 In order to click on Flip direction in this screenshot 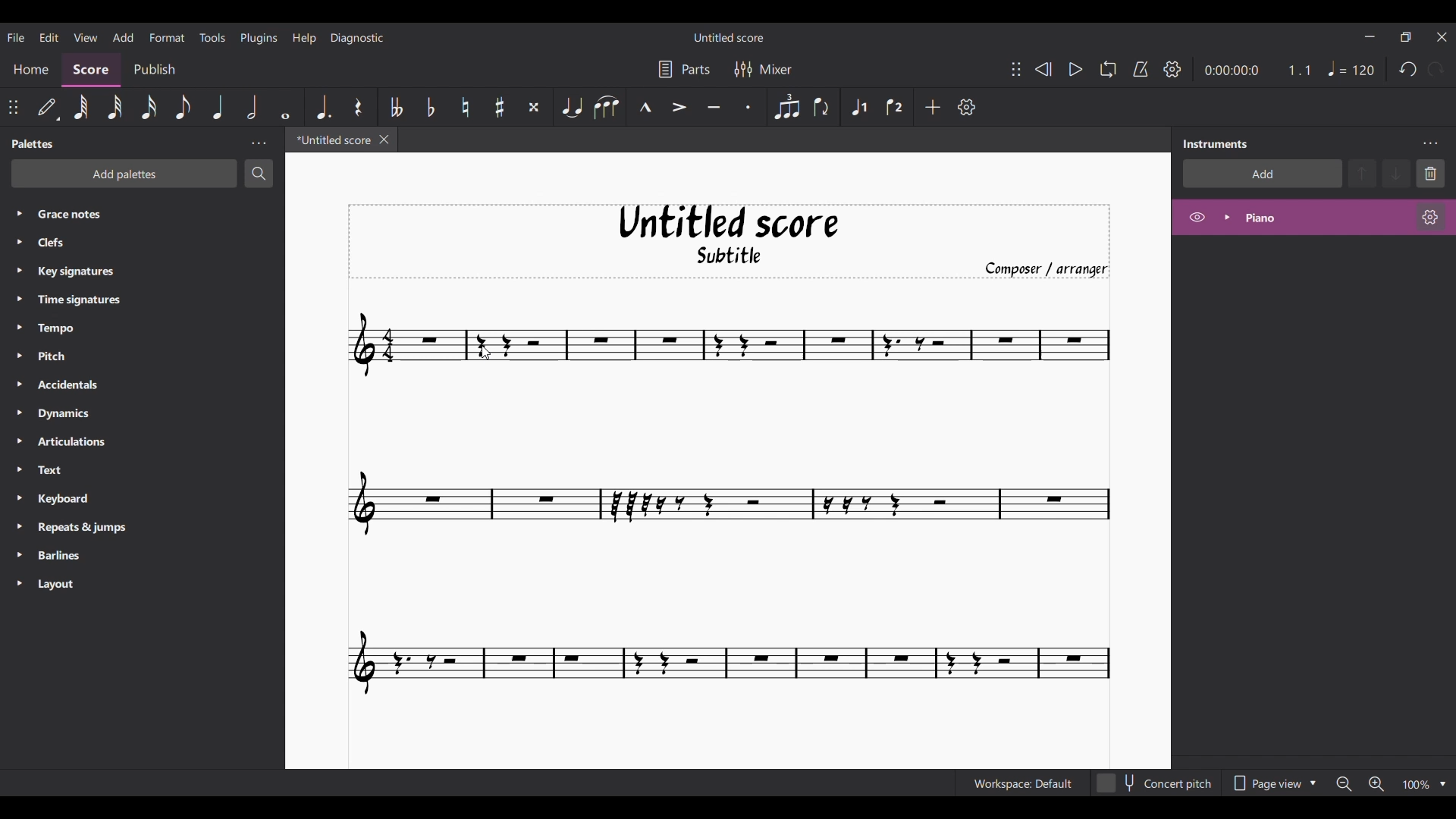, I will do `click(821, 107)`.